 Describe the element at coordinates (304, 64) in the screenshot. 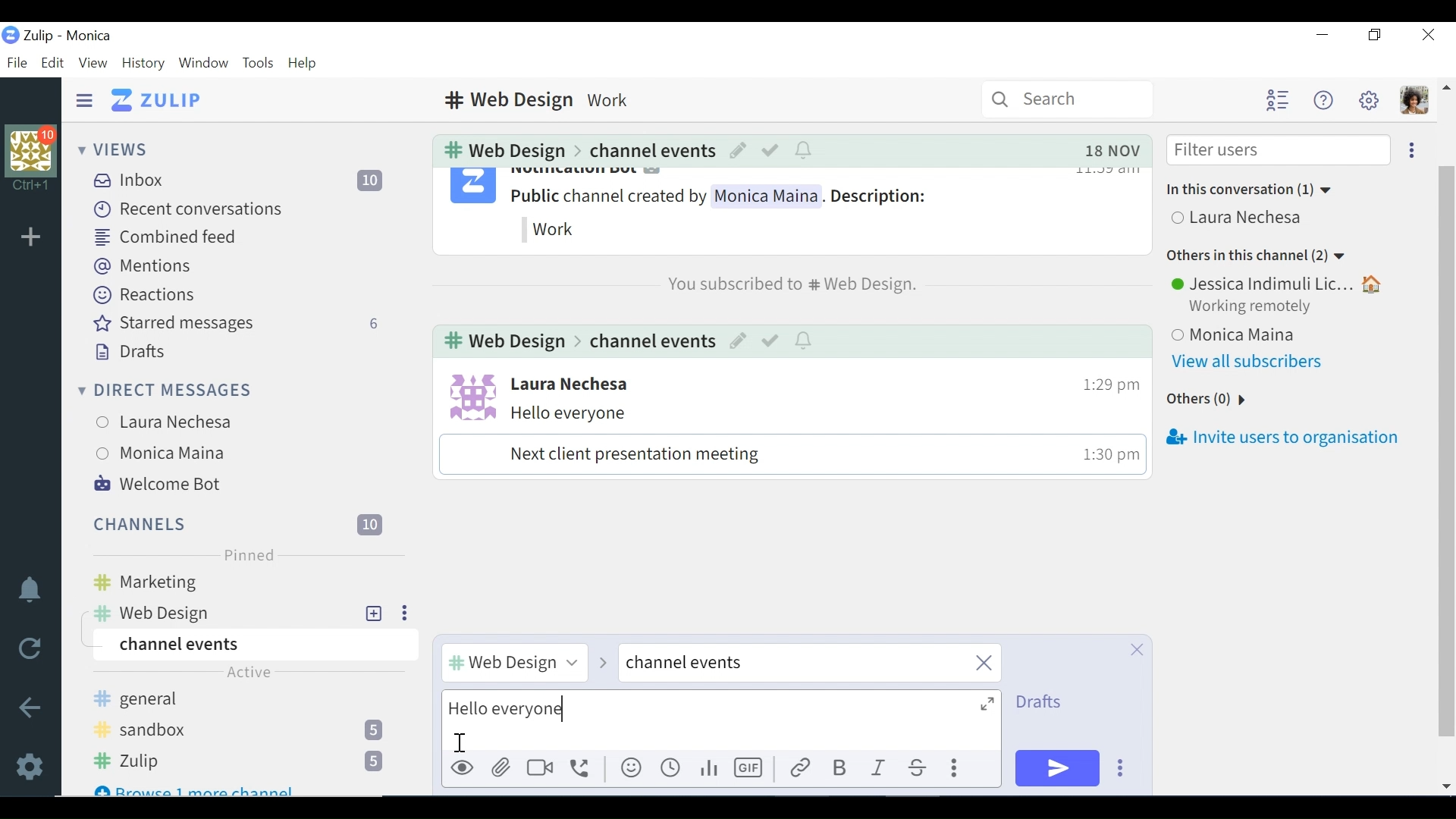

I see `Help` at that location.